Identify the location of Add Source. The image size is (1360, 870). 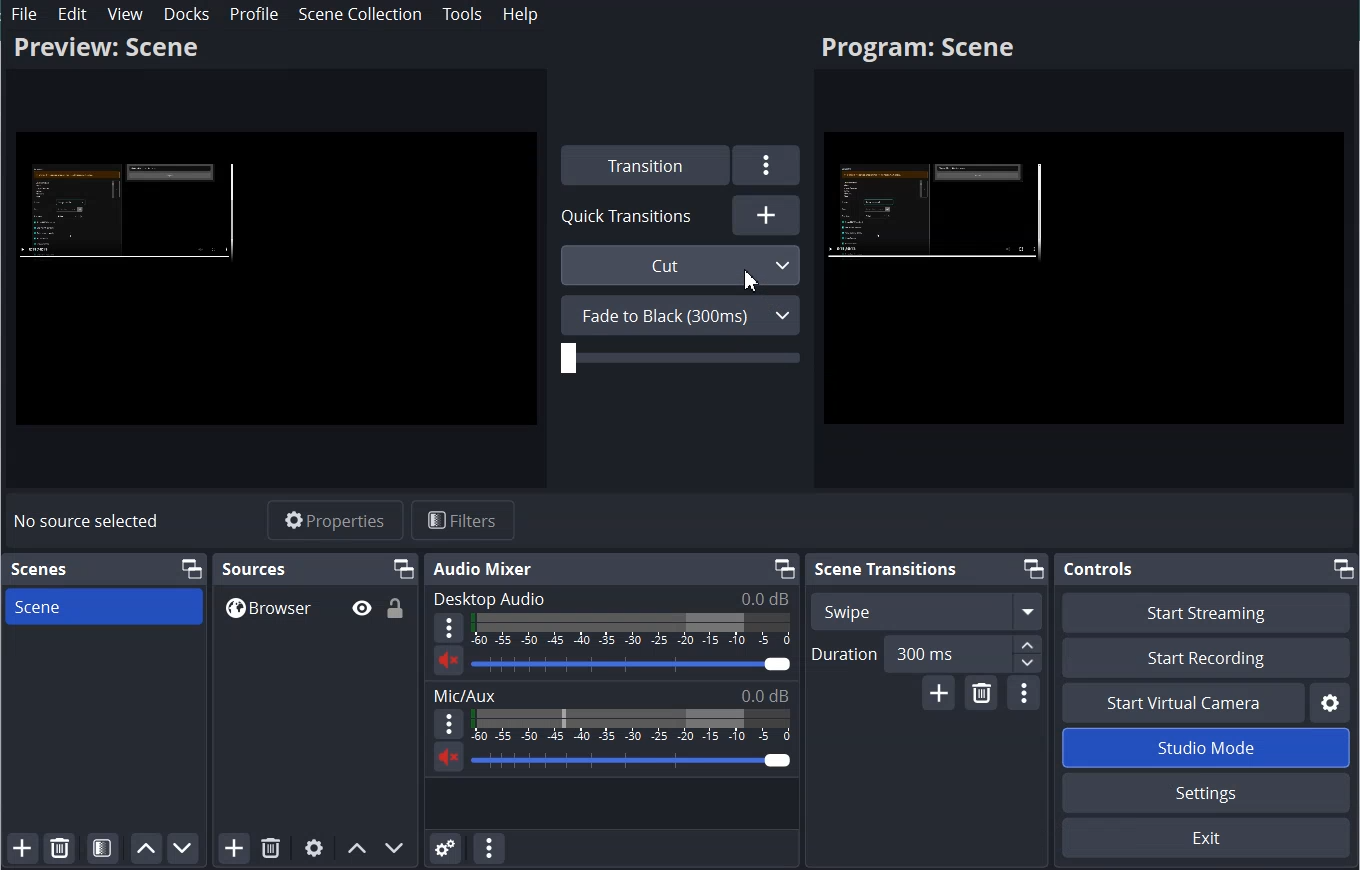
(233, 848).